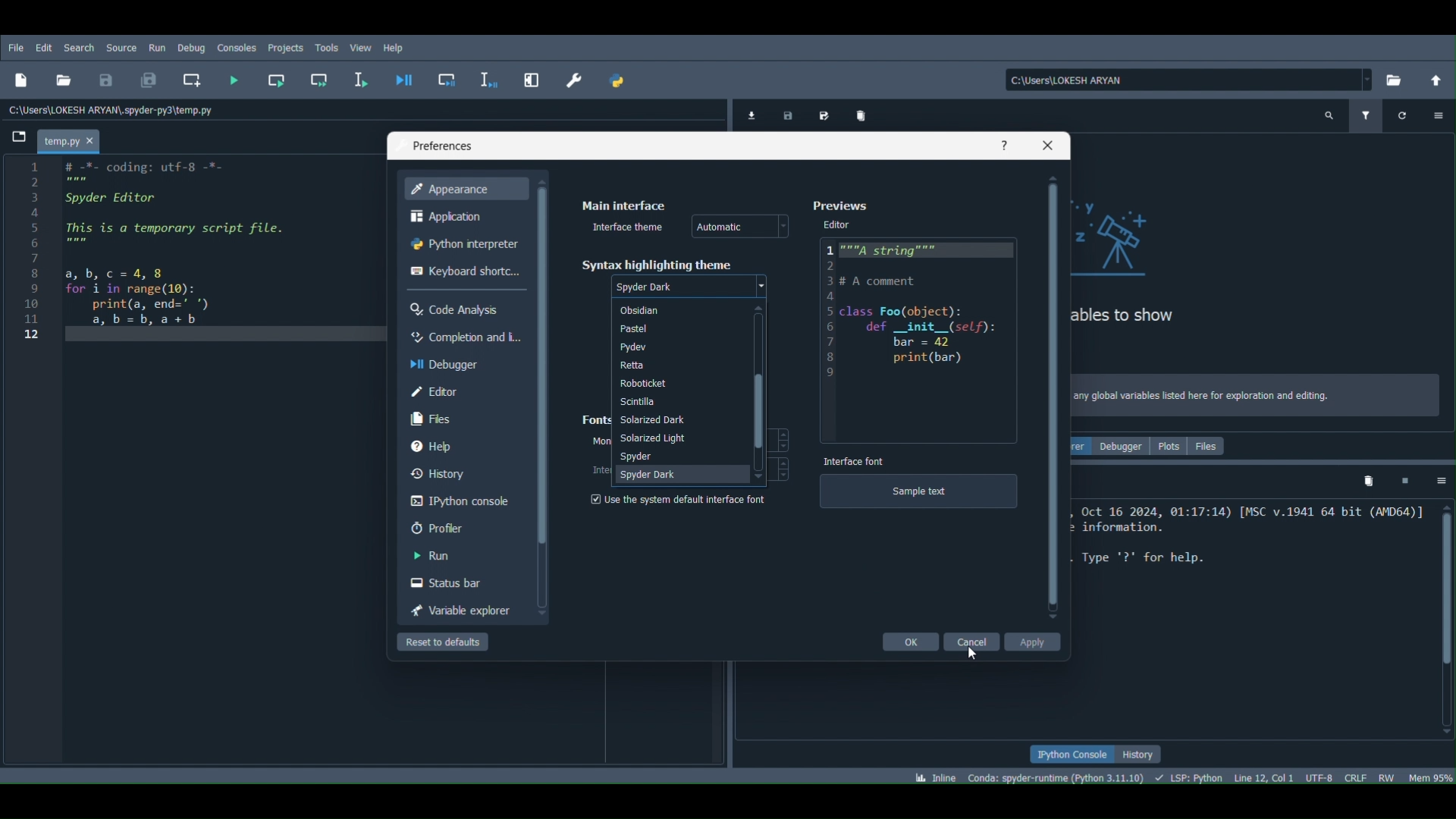  Describe the element at coordinates (26, 77) in the screenshot. I see `New file (Ctrl + N)` at that location.